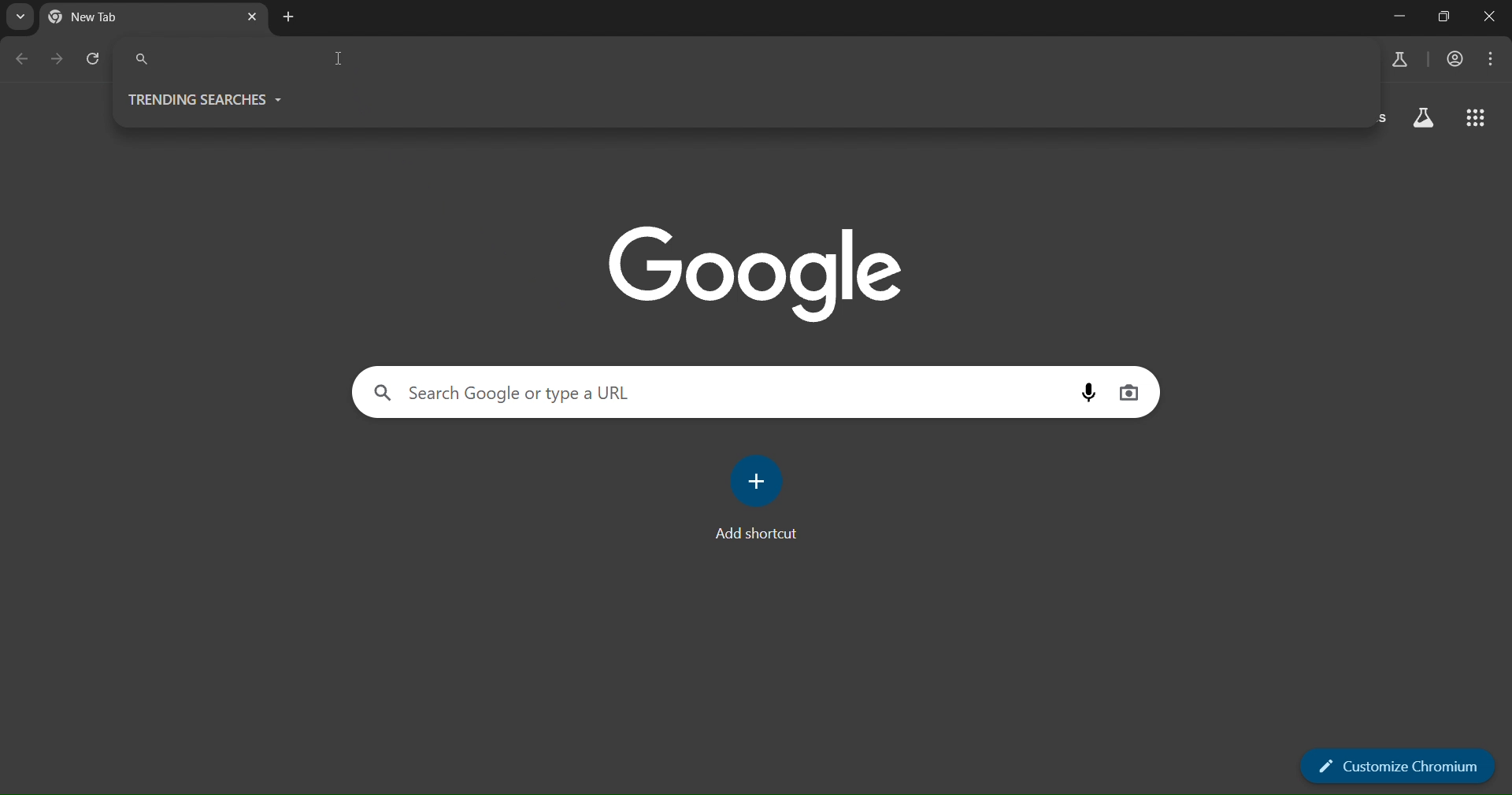 This screenshot has height=795, width=1512. Describe the element at coordinates (94, 56) in the screenshot. I see `reload page` at that location.